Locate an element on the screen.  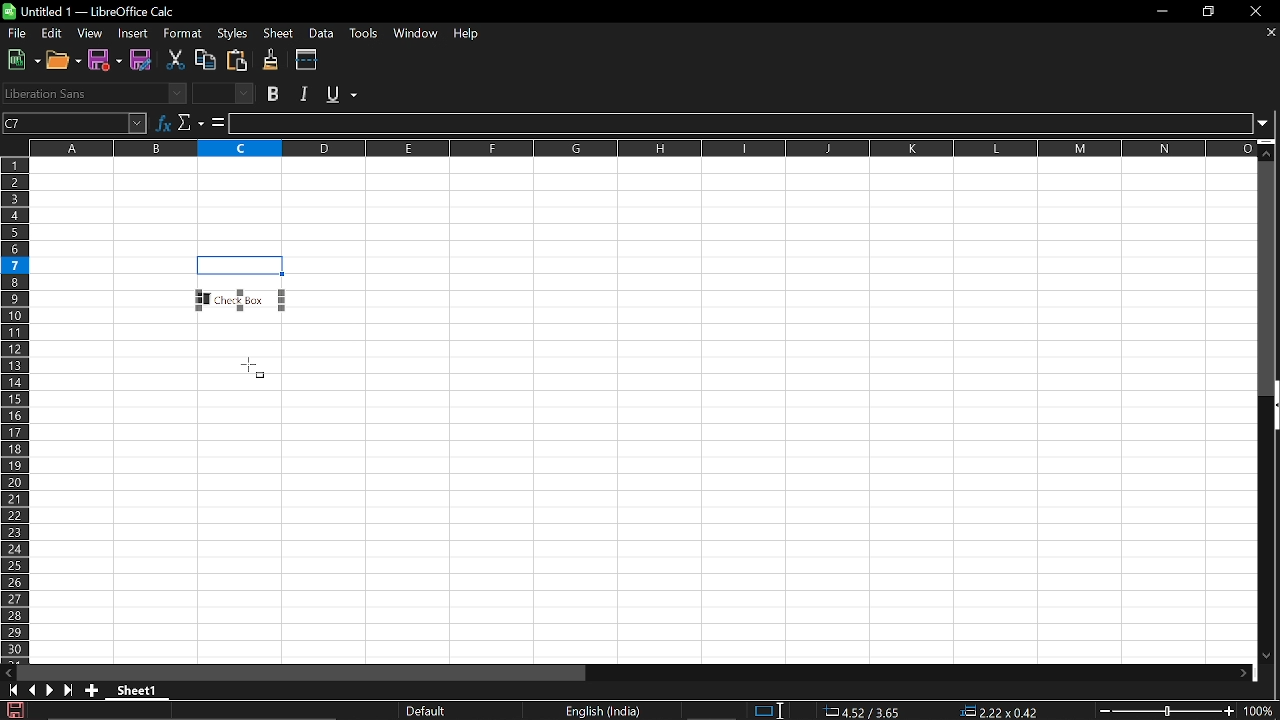
Columns is located at coordinates (642, 146).